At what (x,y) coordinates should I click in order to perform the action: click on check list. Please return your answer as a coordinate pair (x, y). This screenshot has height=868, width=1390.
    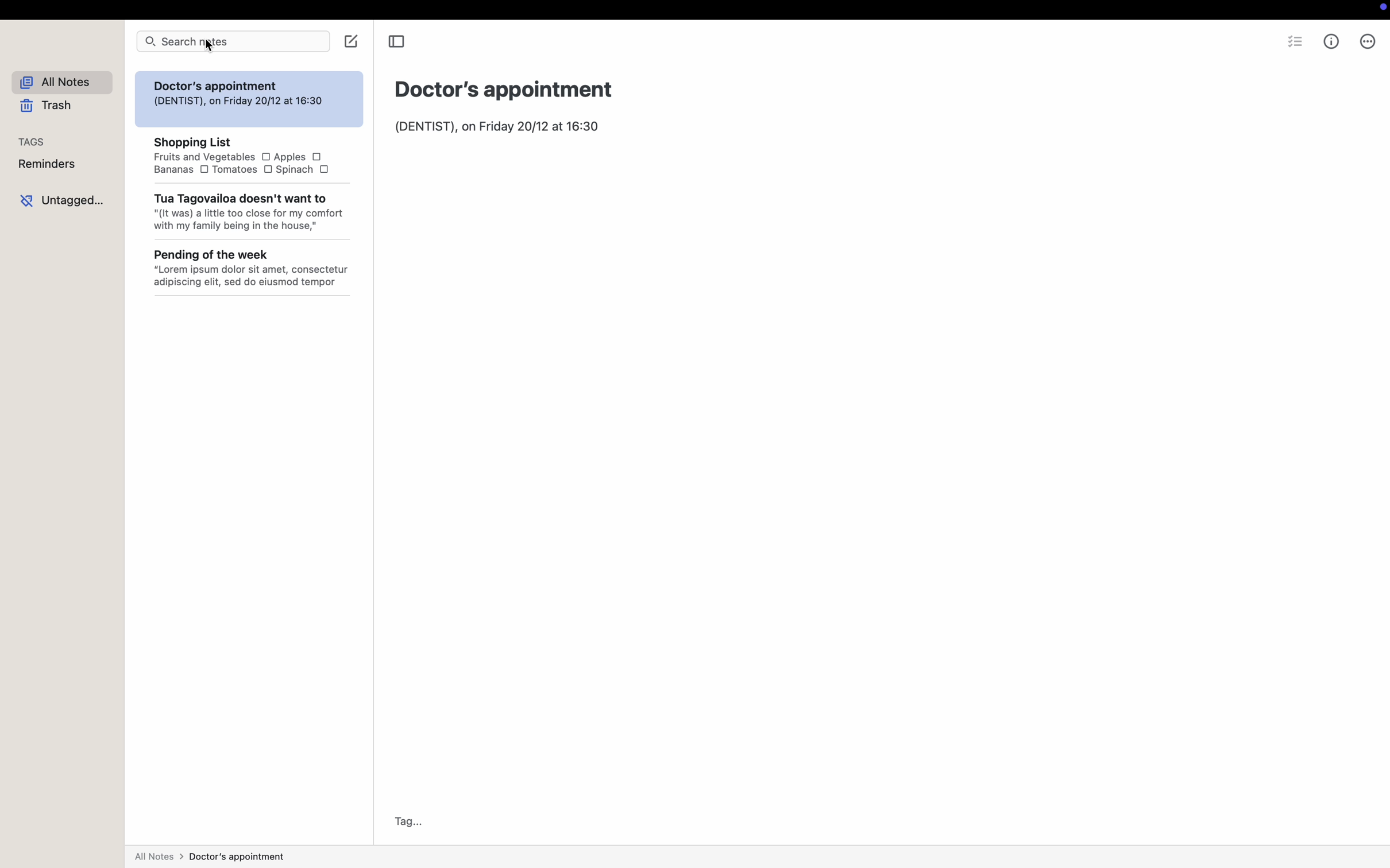
    Looking at the image, I should click on (1294, 40).